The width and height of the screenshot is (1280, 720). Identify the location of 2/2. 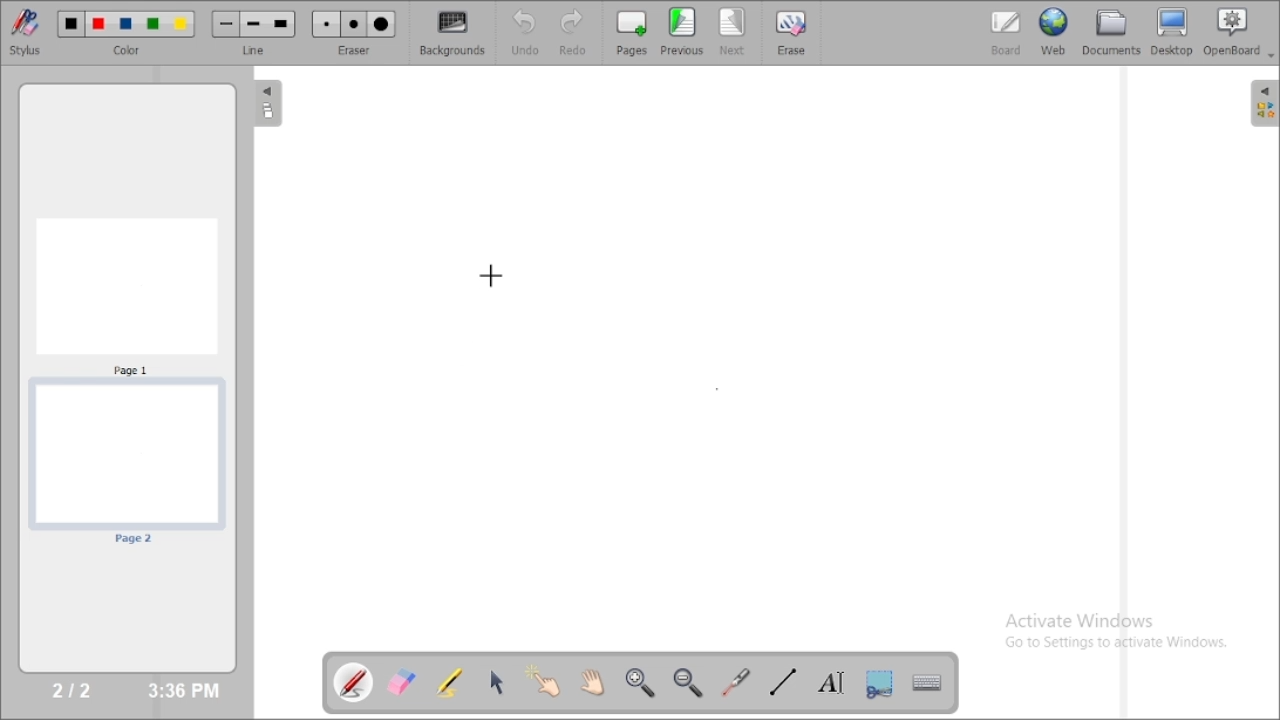
(73, 689).